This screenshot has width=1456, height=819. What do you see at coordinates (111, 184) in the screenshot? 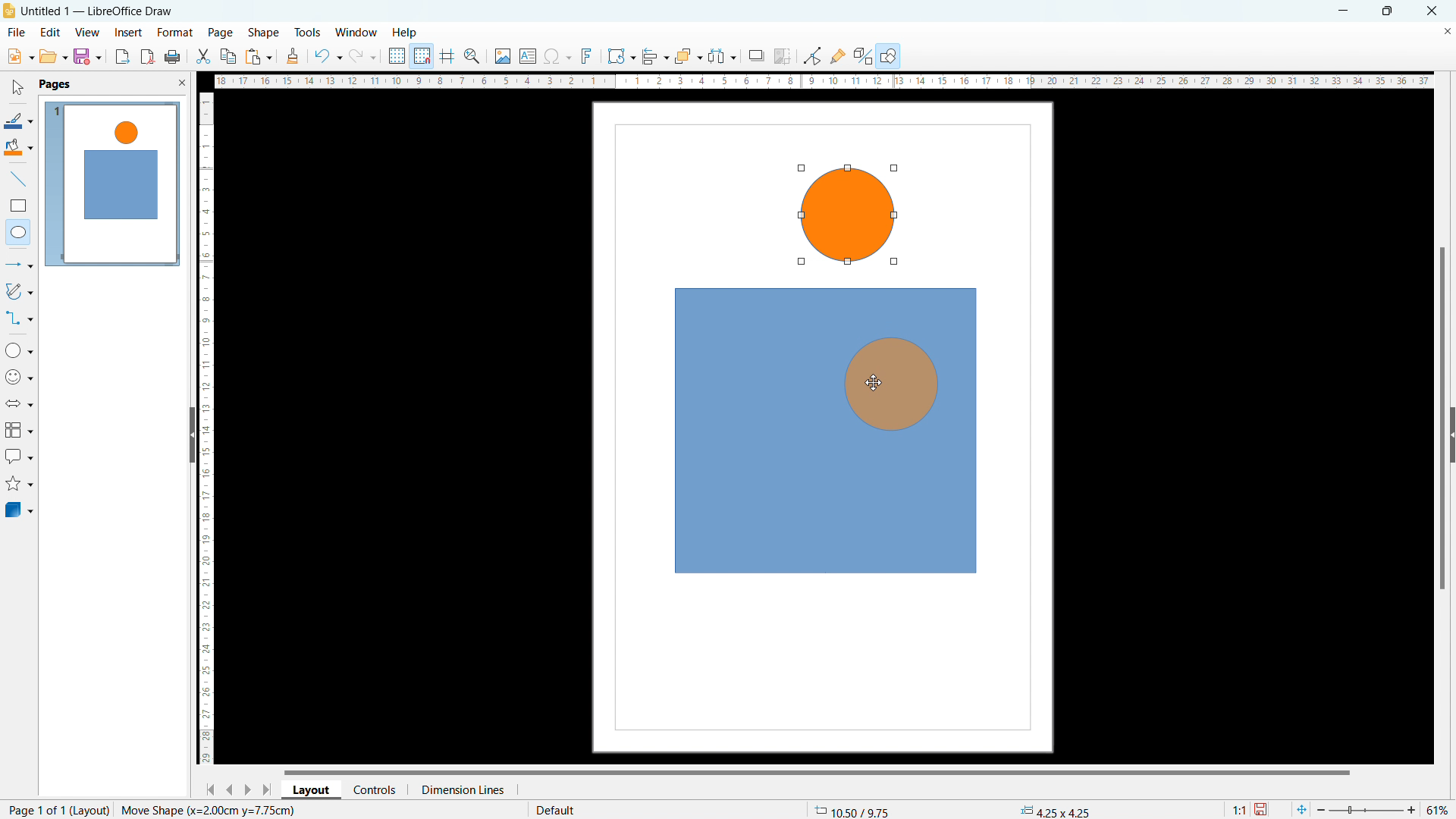
I see `page view updated` at bounding box center [111, 184].